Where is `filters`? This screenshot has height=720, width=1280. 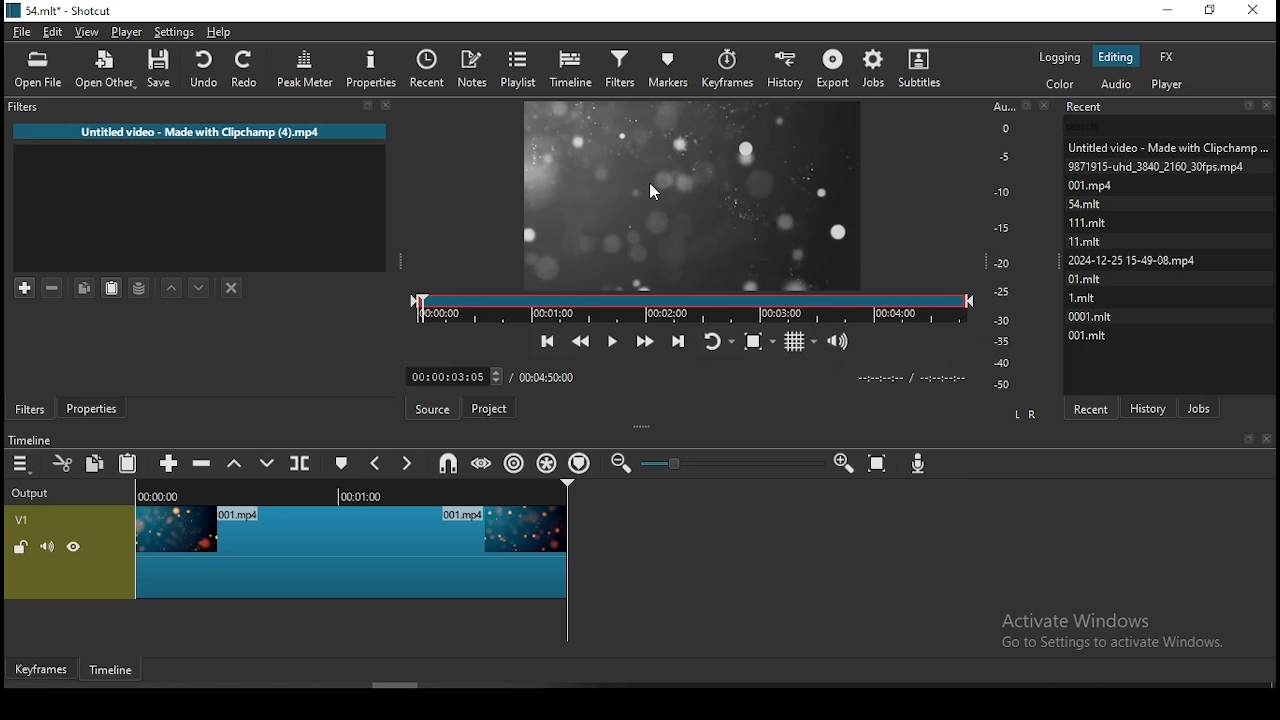 filters is located at coordinates (623, 68).